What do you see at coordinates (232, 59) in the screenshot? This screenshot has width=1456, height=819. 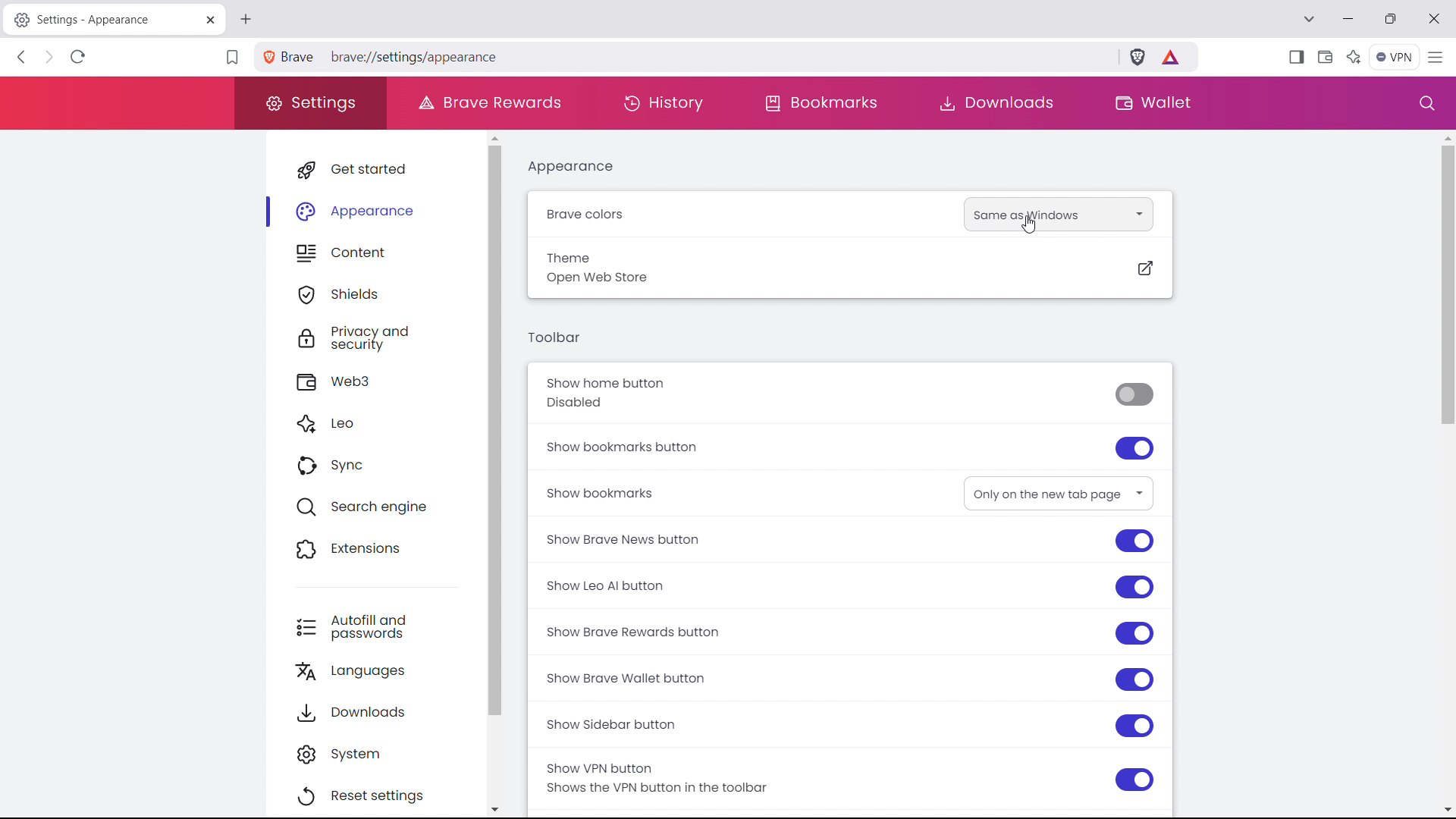 I see `bookmark this tab` at bounding box center [232, 59].